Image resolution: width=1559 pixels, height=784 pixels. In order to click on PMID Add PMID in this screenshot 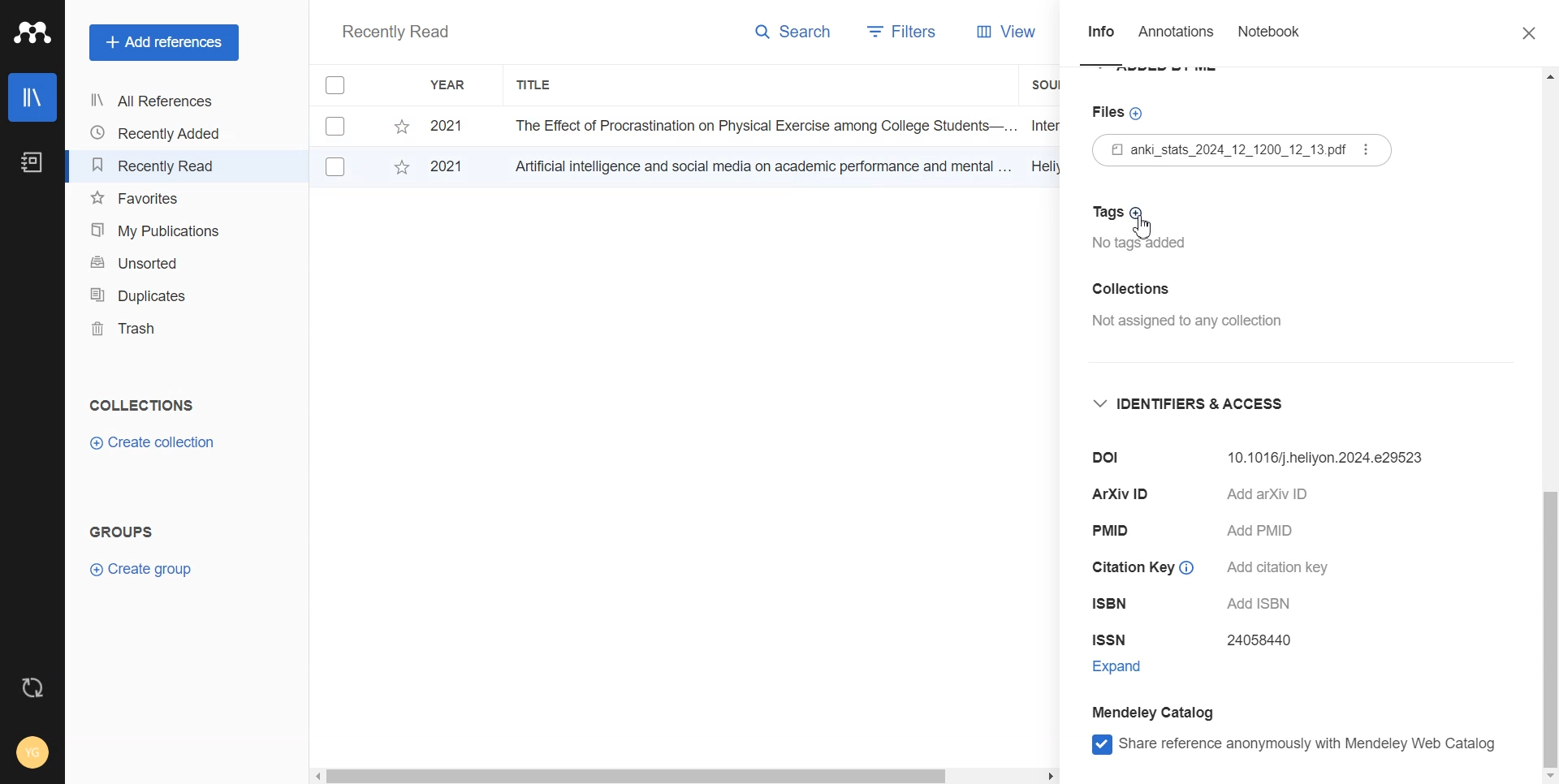, I will do `click(1202, 533)`.